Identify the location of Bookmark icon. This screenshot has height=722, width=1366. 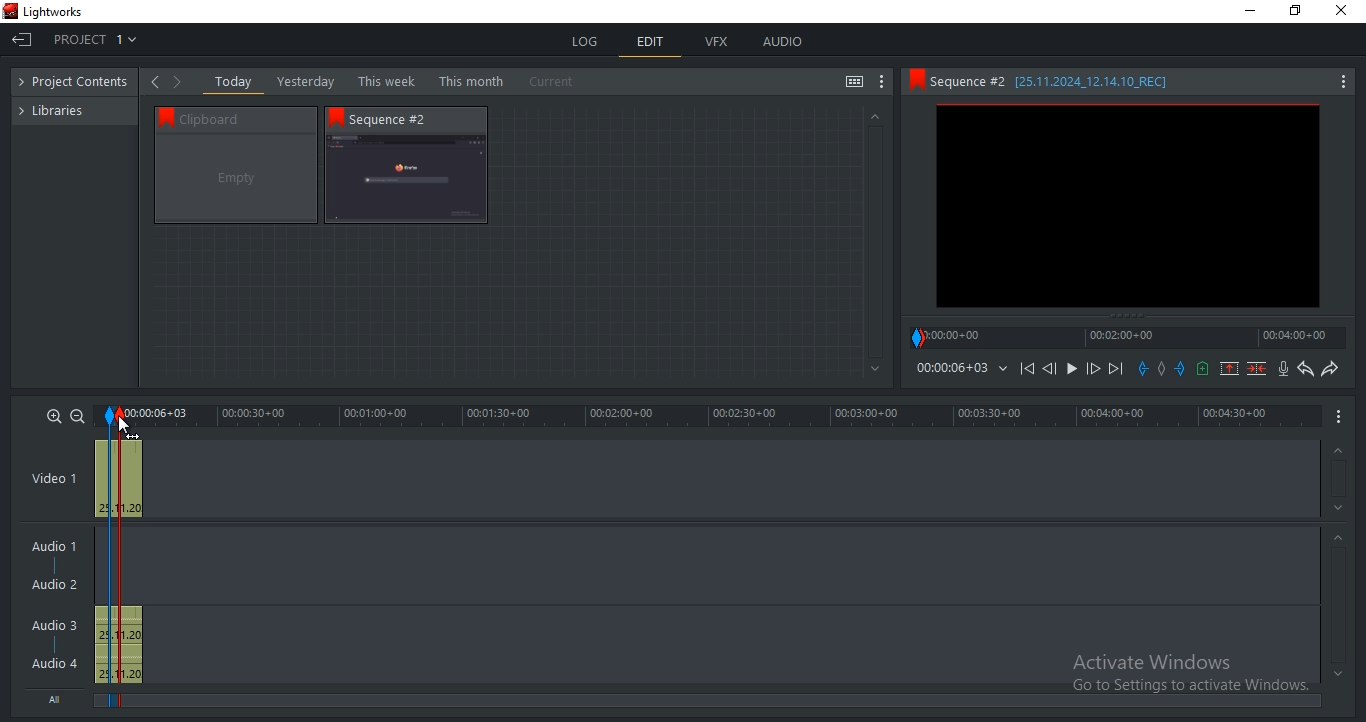
(336, 117).